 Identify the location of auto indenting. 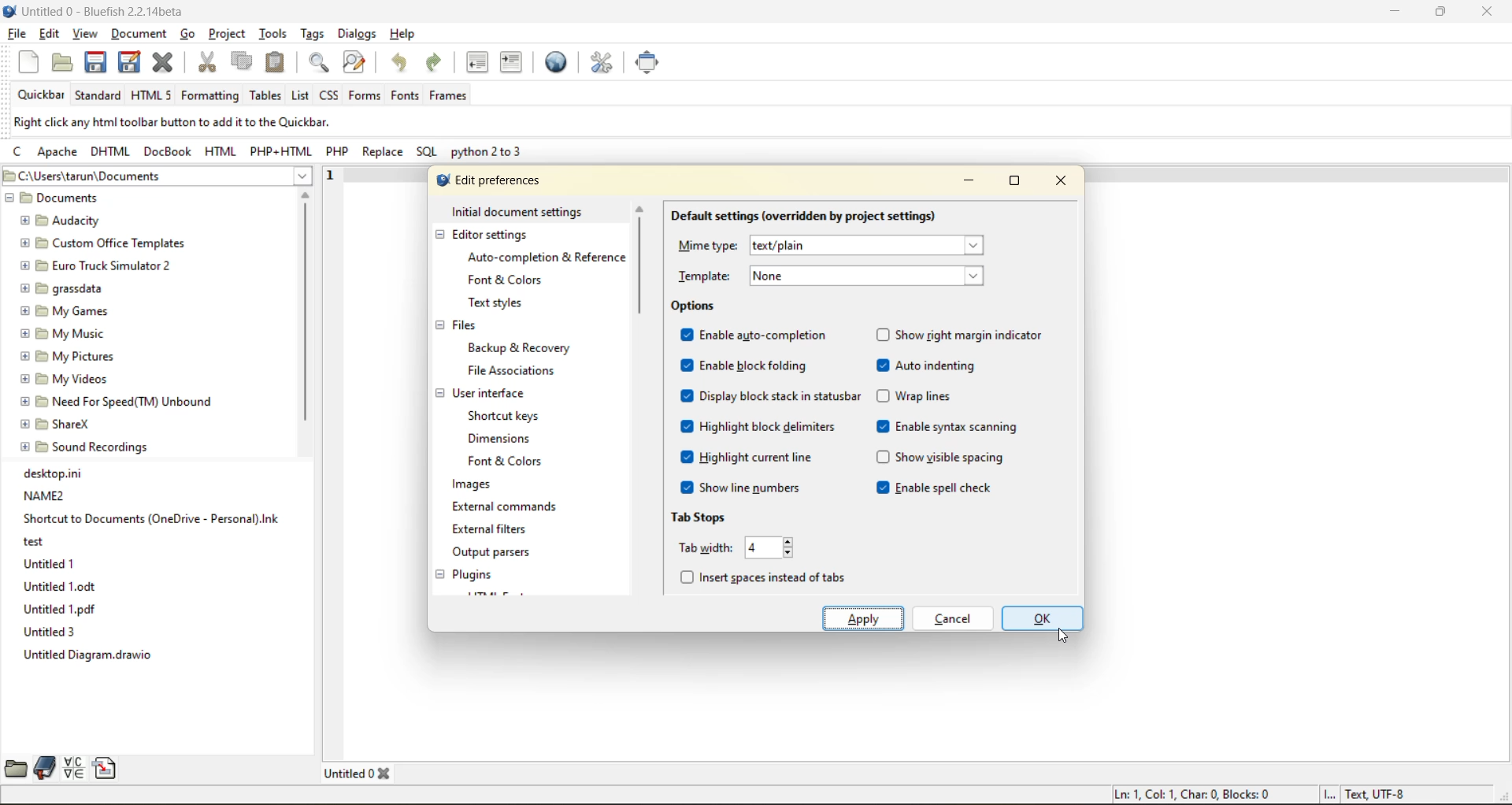
(928, 366).